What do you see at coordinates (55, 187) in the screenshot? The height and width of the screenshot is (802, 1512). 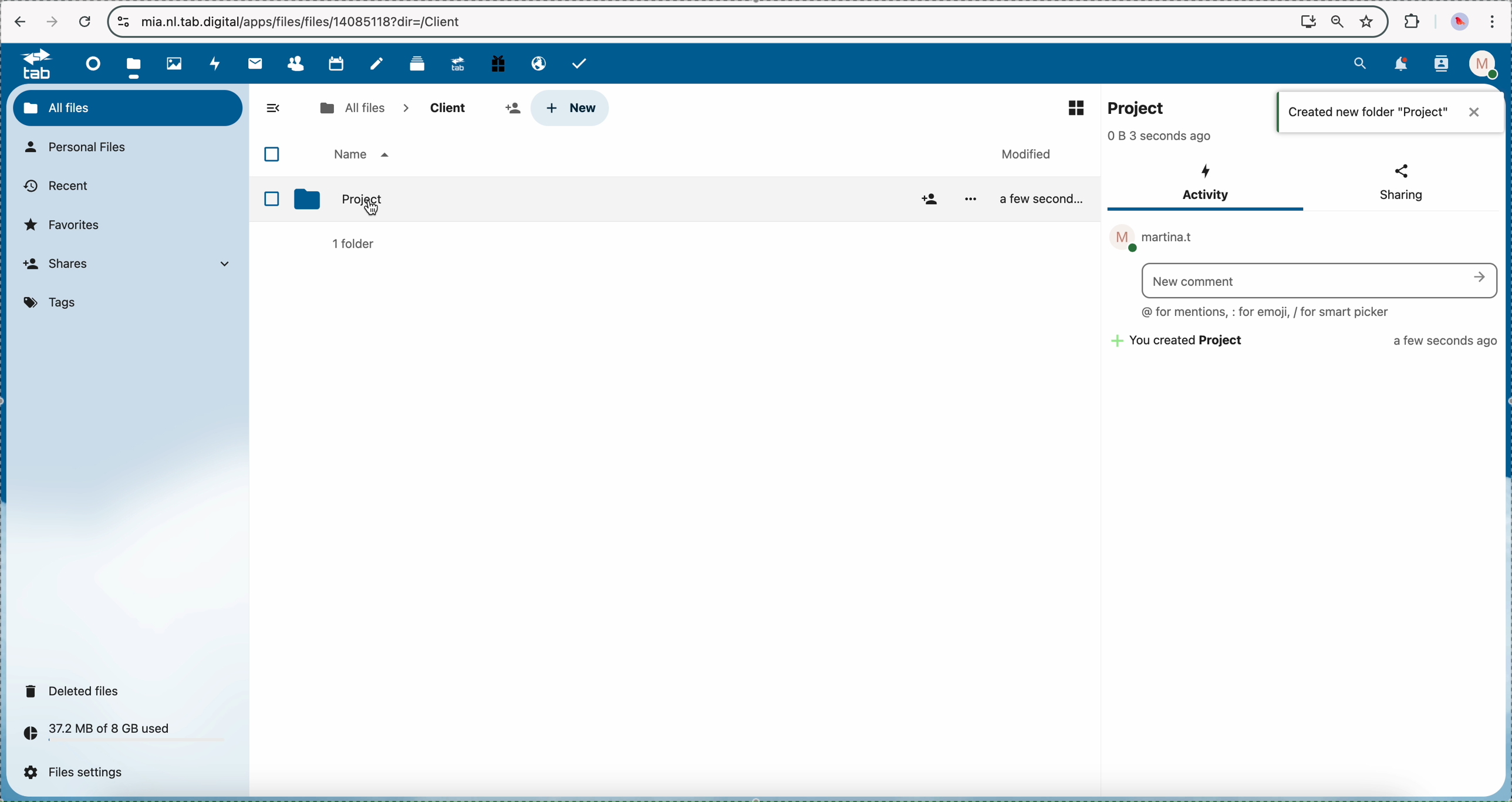 I see `recent` at bounding box center [55, 187].